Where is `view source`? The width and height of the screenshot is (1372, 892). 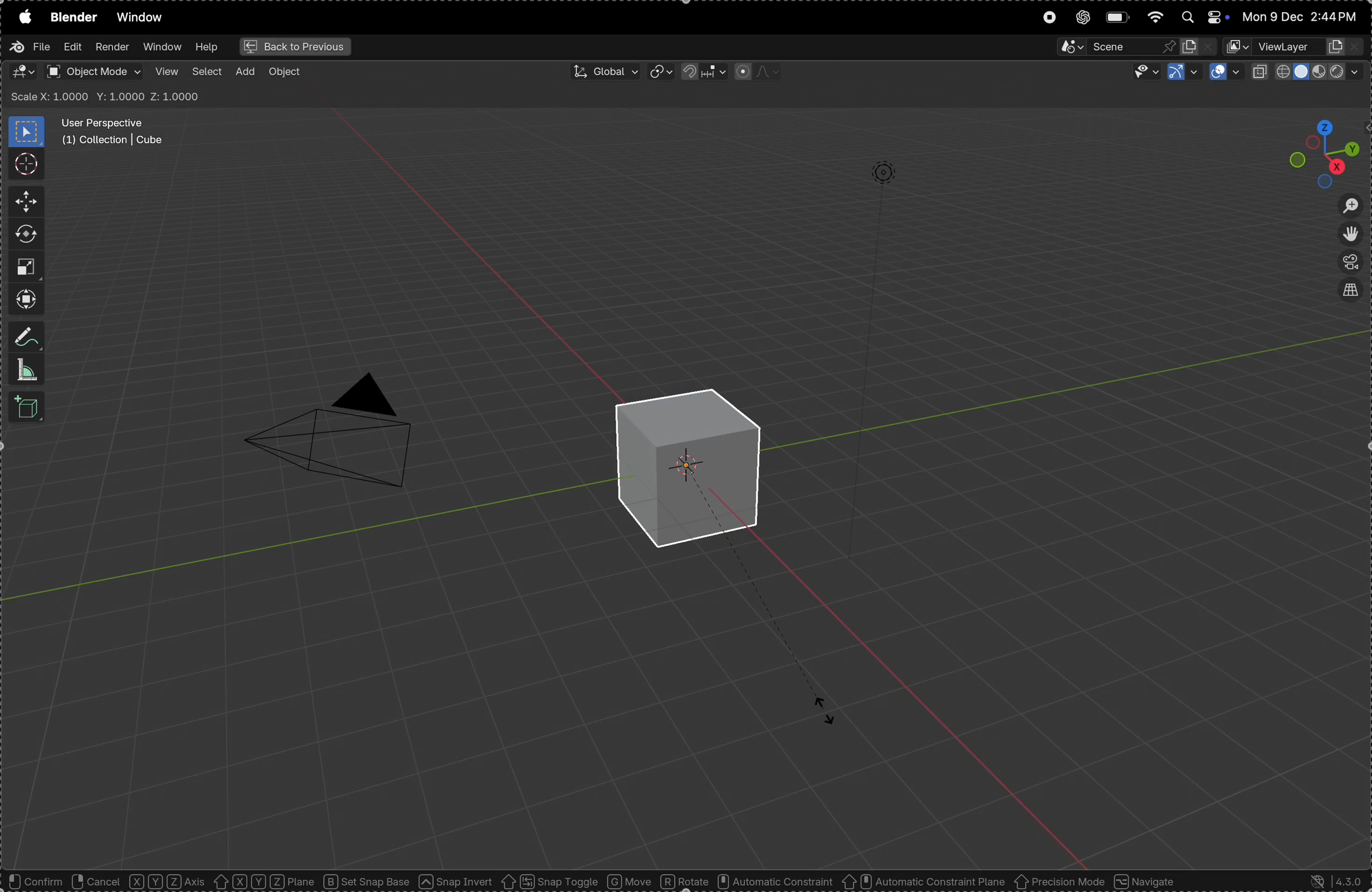 view source is located at coordinates (1352, 292).